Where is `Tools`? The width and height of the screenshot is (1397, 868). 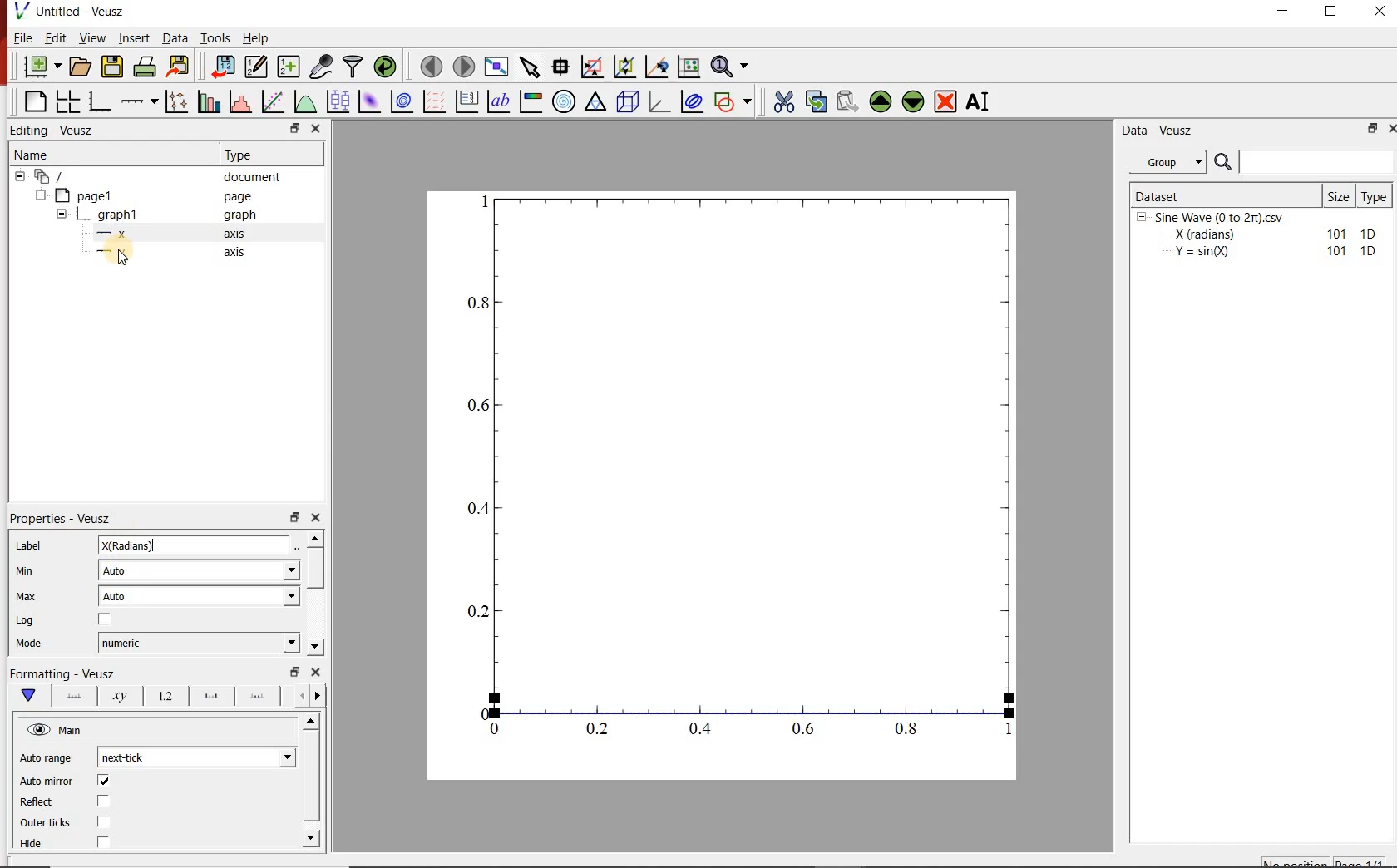
Tools is located at coordinates (215, 37).